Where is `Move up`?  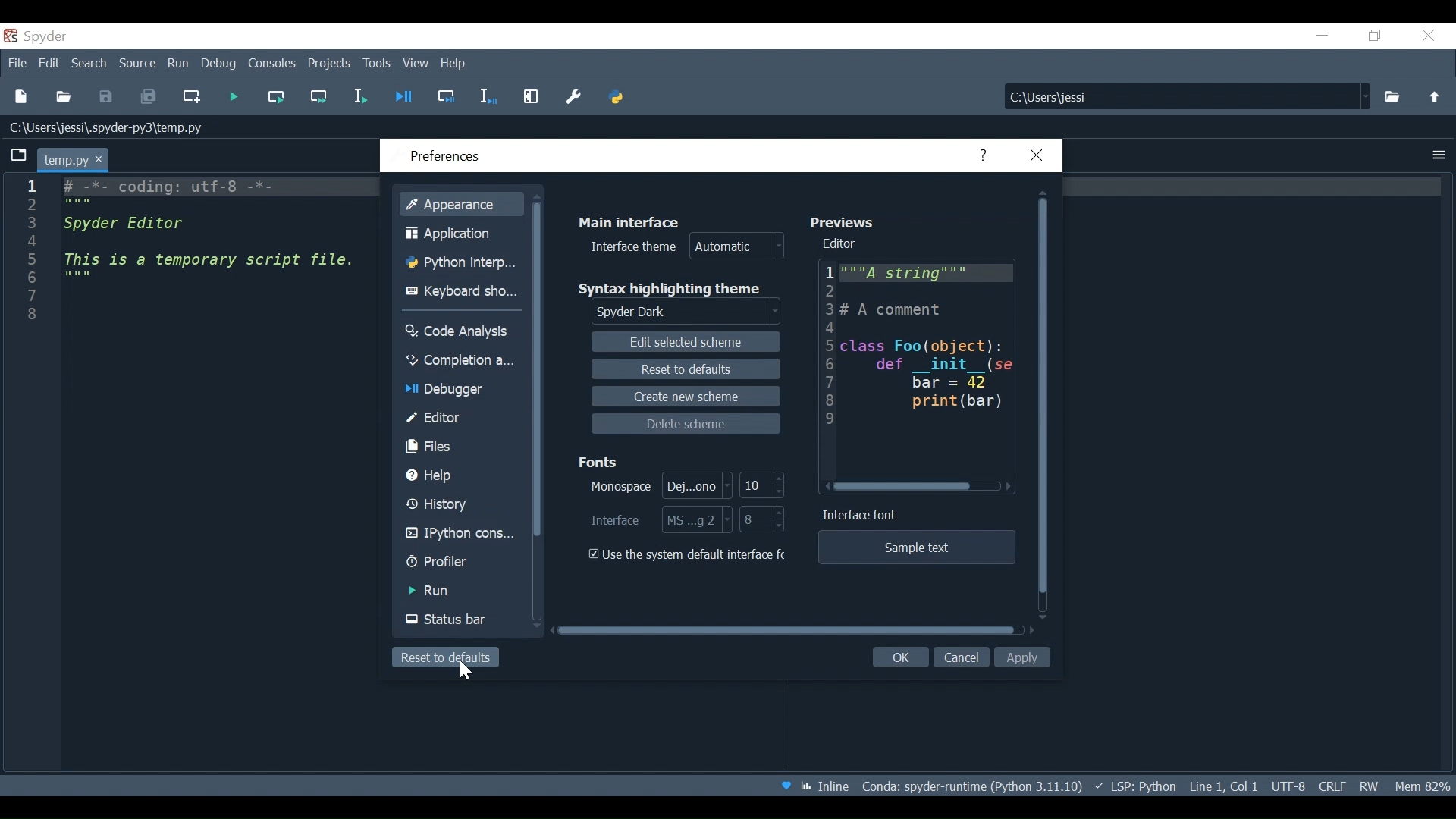
Move up is located at coordinates (1432, 96).